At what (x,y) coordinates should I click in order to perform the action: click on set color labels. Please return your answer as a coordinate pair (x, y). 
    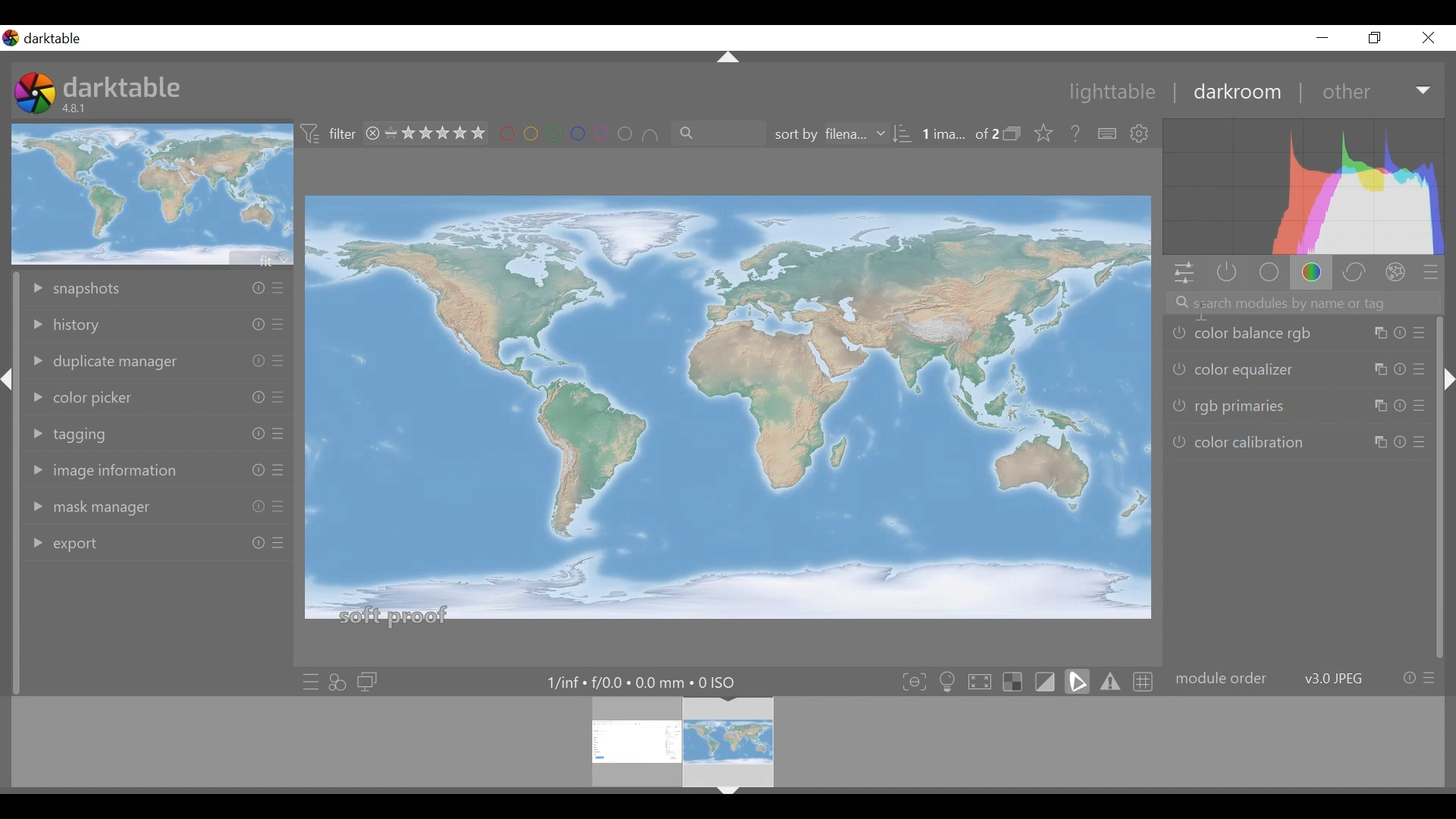
    Looking at the image, I should click on (579, 134).